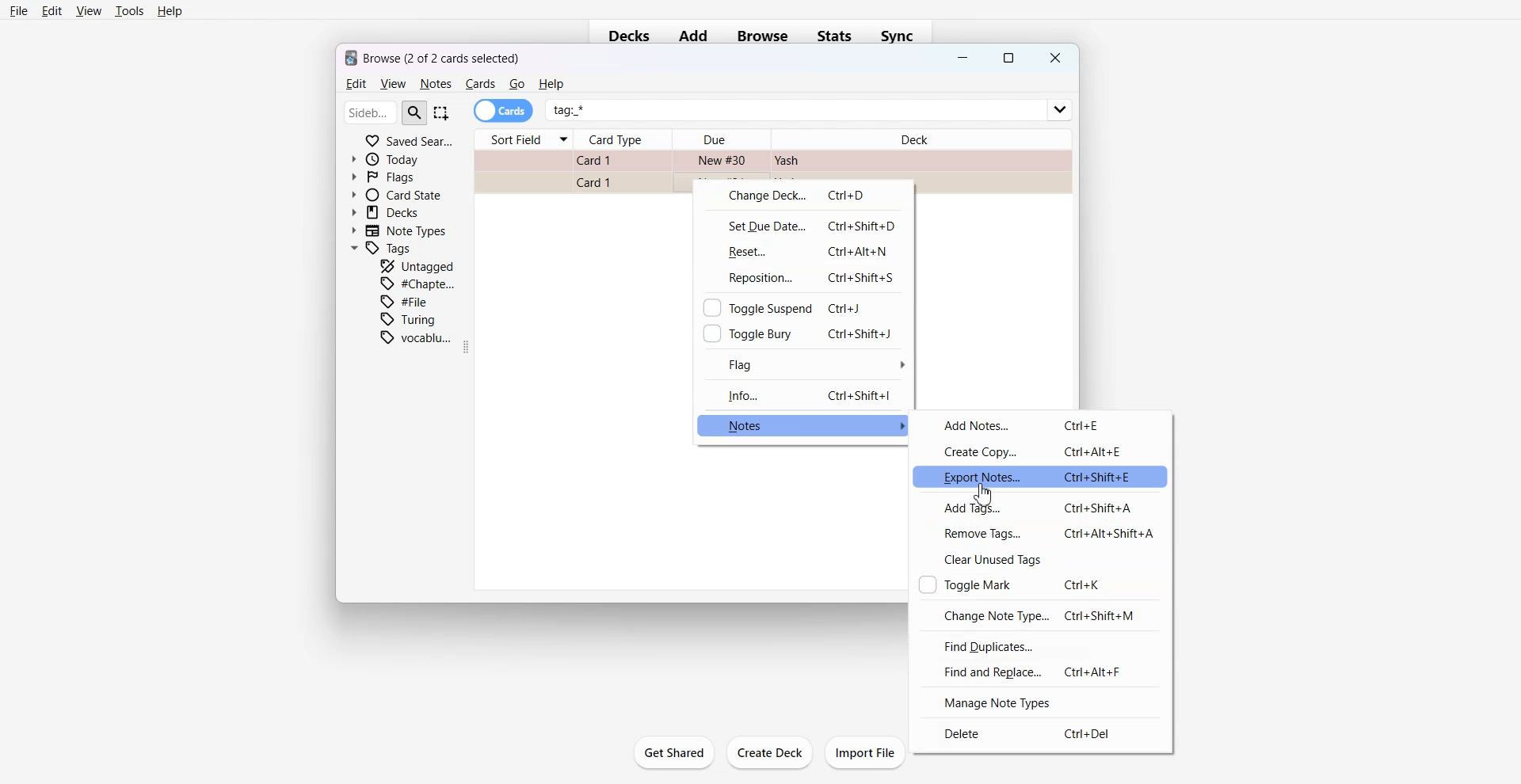  Describe the element at coordinates (551, 84) in the screenshot. I see `He` at that location.